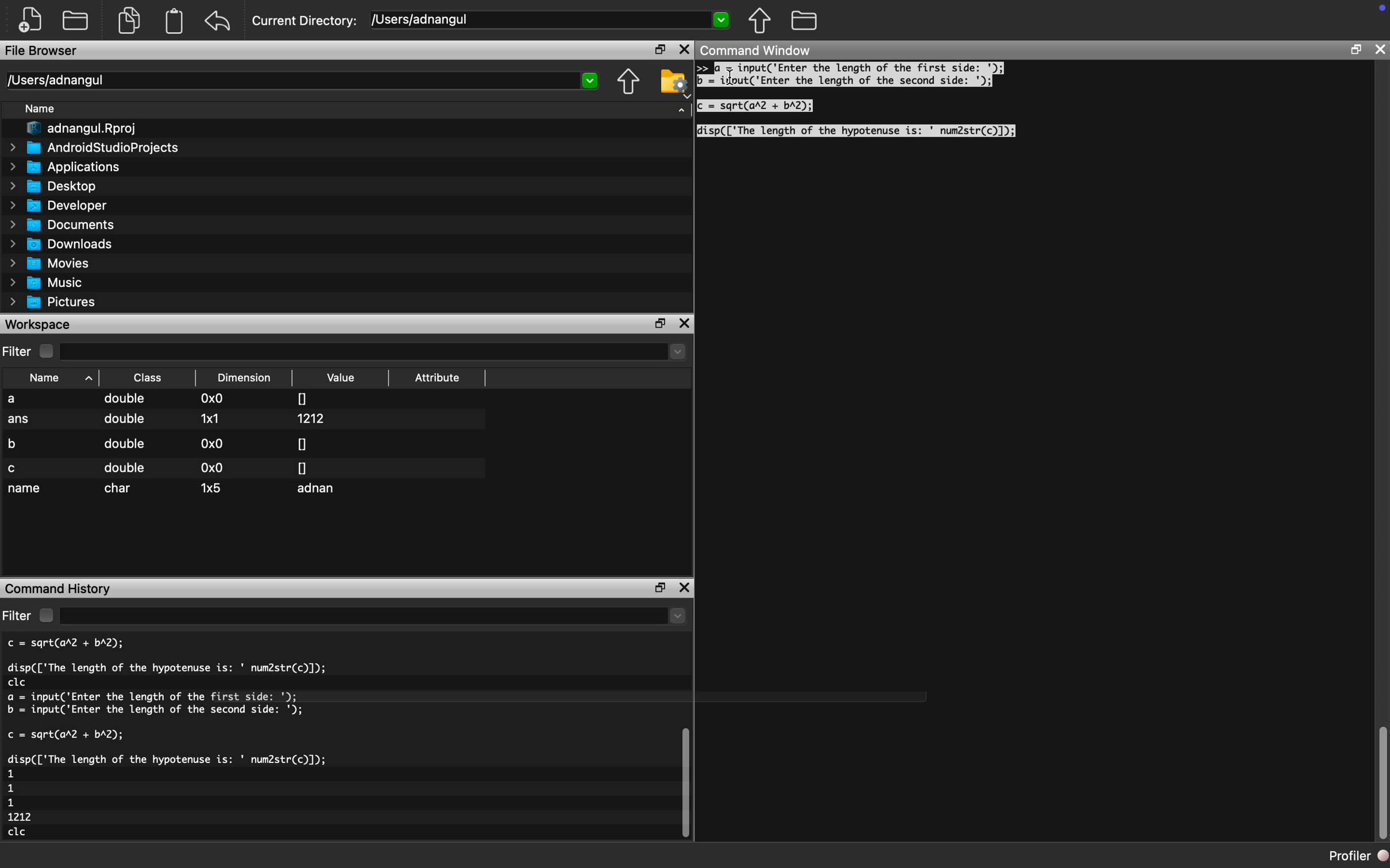 The height and width of the screenshot is (868, 1390). Describe the element at coordinates (172, 22) in the screenshot. I see `document clipboard` at that location.